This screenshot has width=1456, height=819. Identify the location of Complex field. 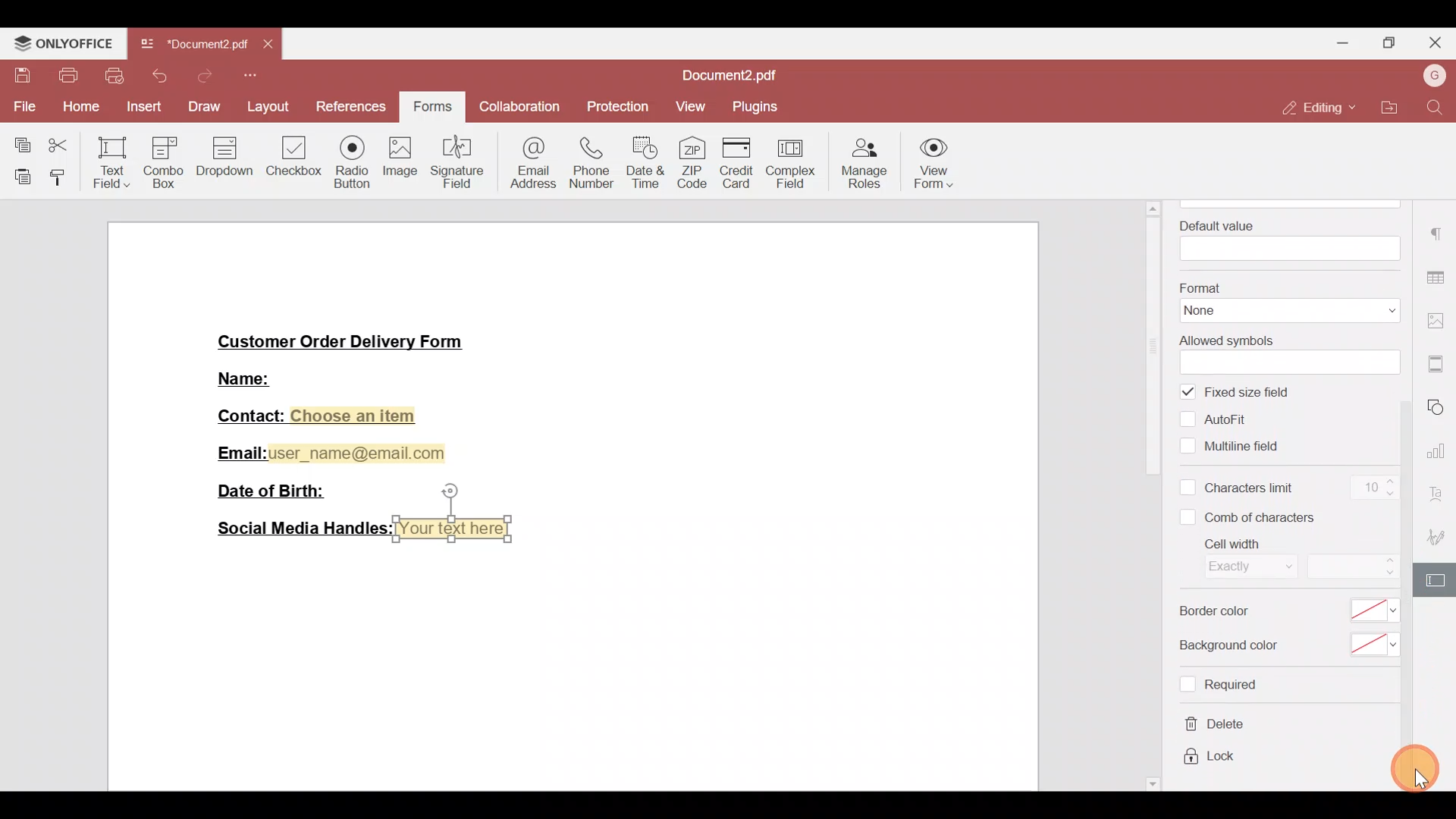
(795, 160).